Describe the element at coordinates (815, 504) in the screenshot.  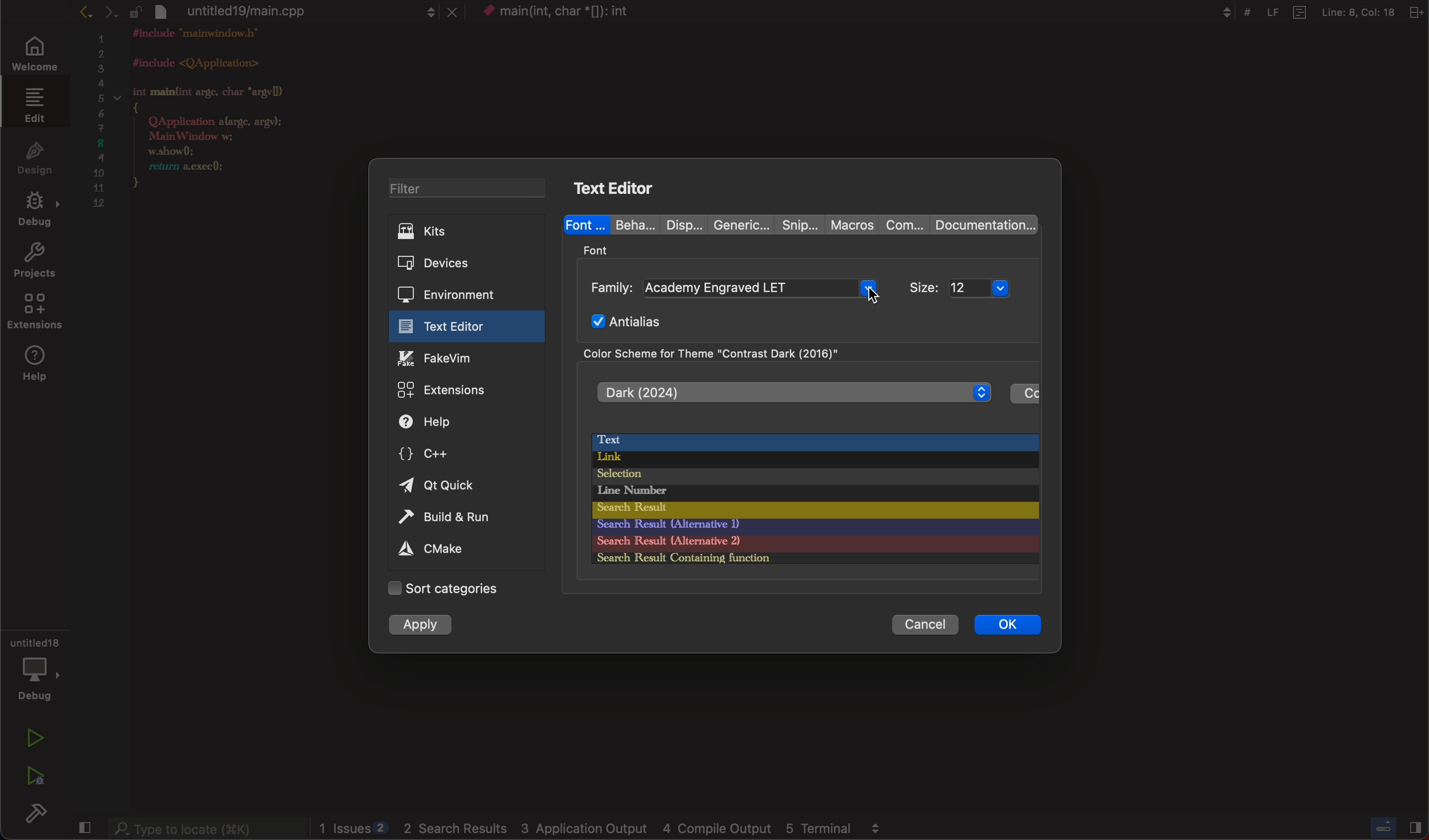
I see `color palette` at that location.